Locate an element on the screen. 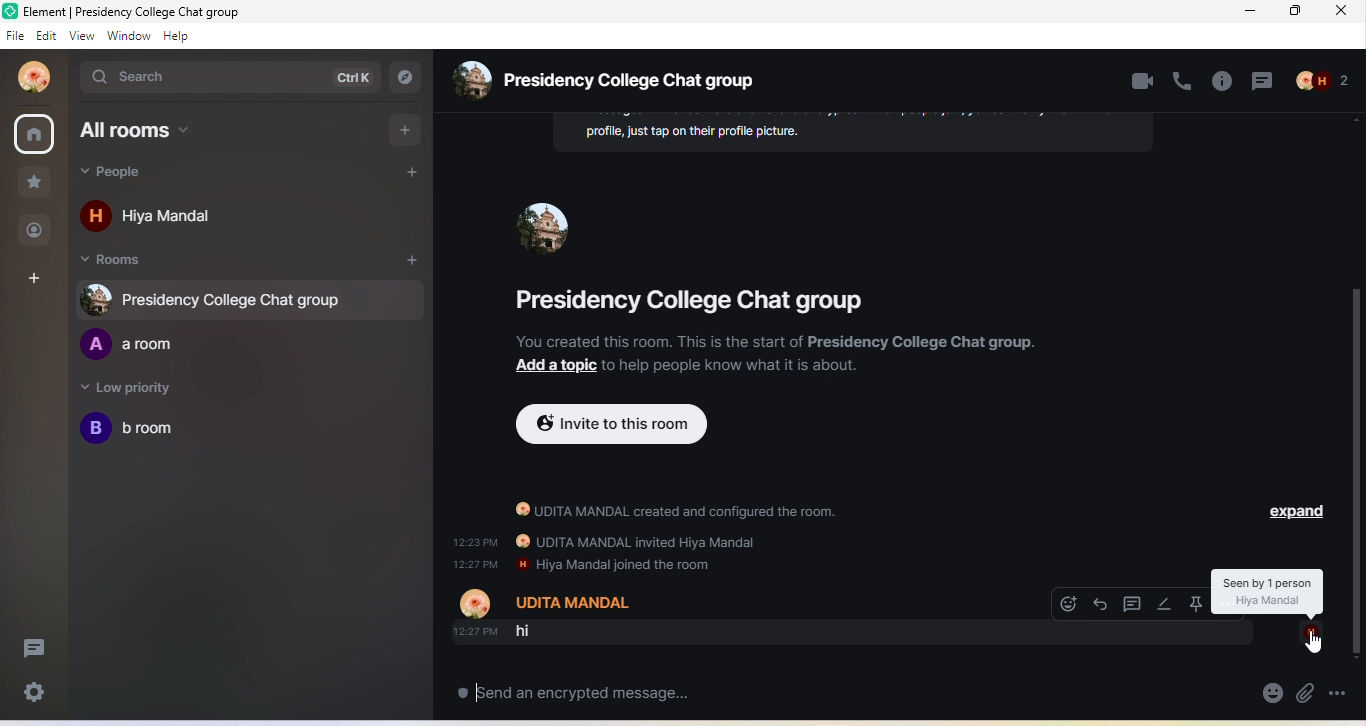  add is located at coordinates (406, 261).